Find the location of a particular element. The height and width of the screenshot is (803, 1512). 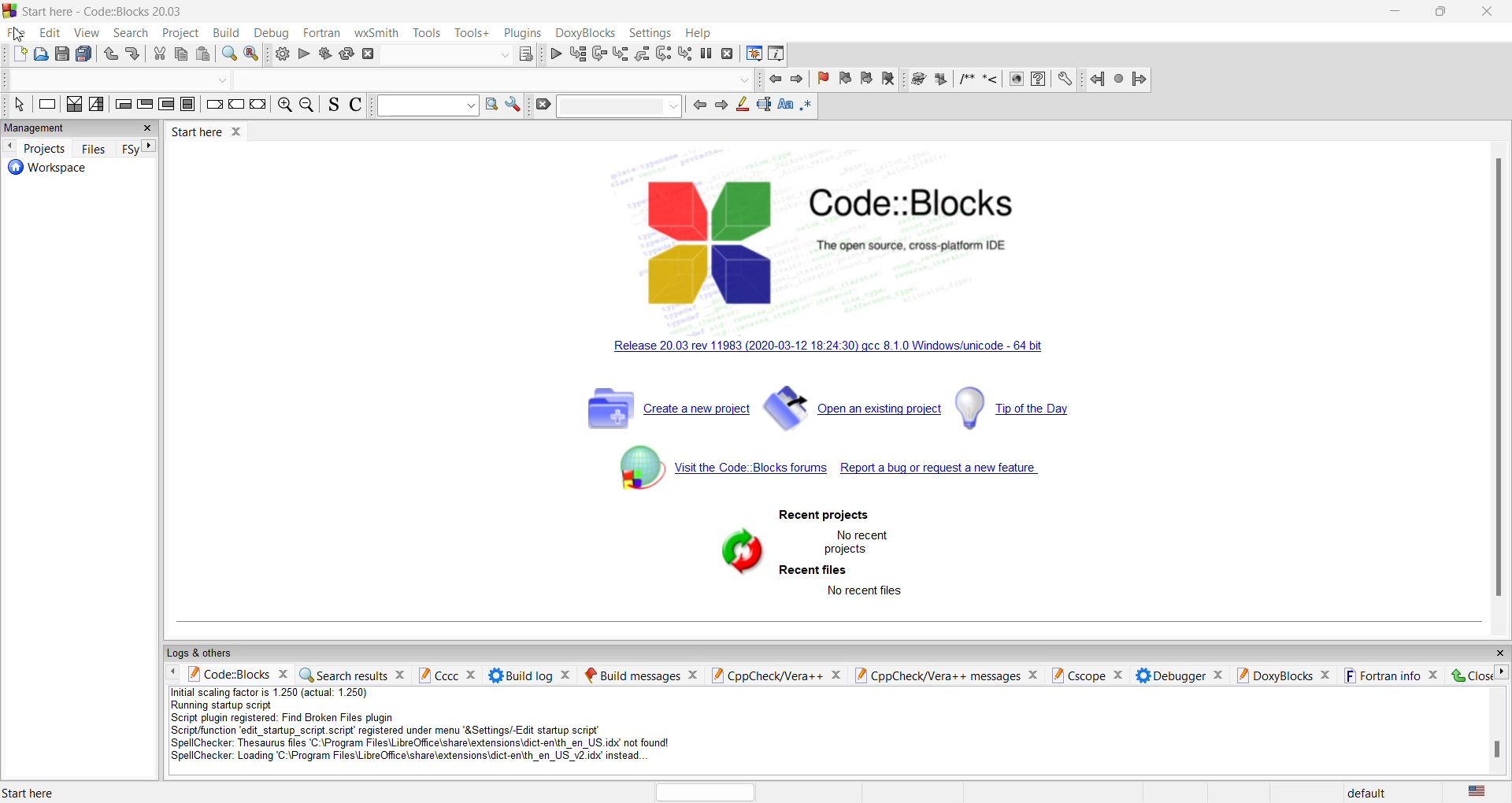

fortran is located at coordinates (323, 31).